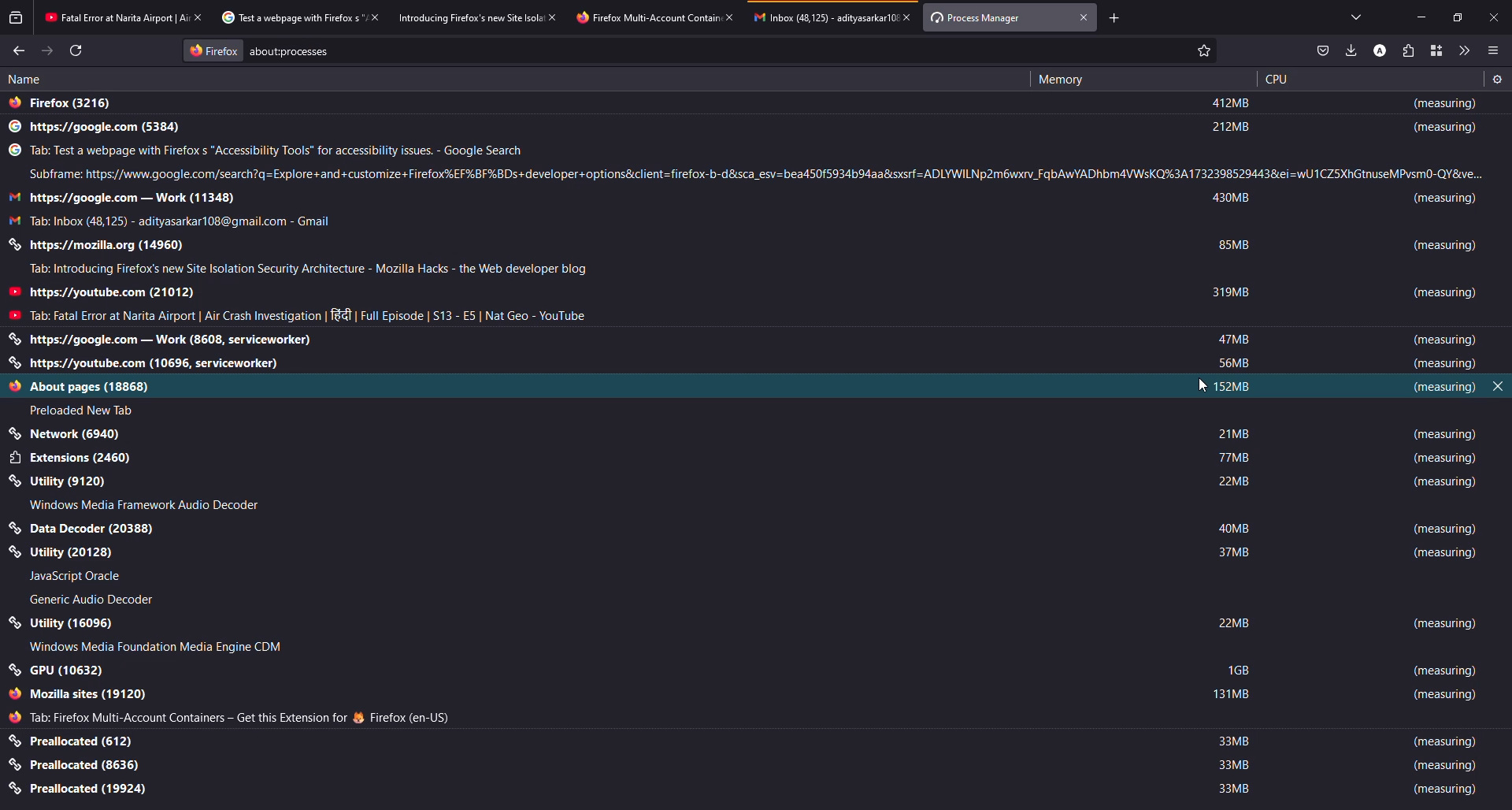  Describe the element at coordinates (102, 245) in the screenshot. I see `https://mozilla.org (11348)` at that location.